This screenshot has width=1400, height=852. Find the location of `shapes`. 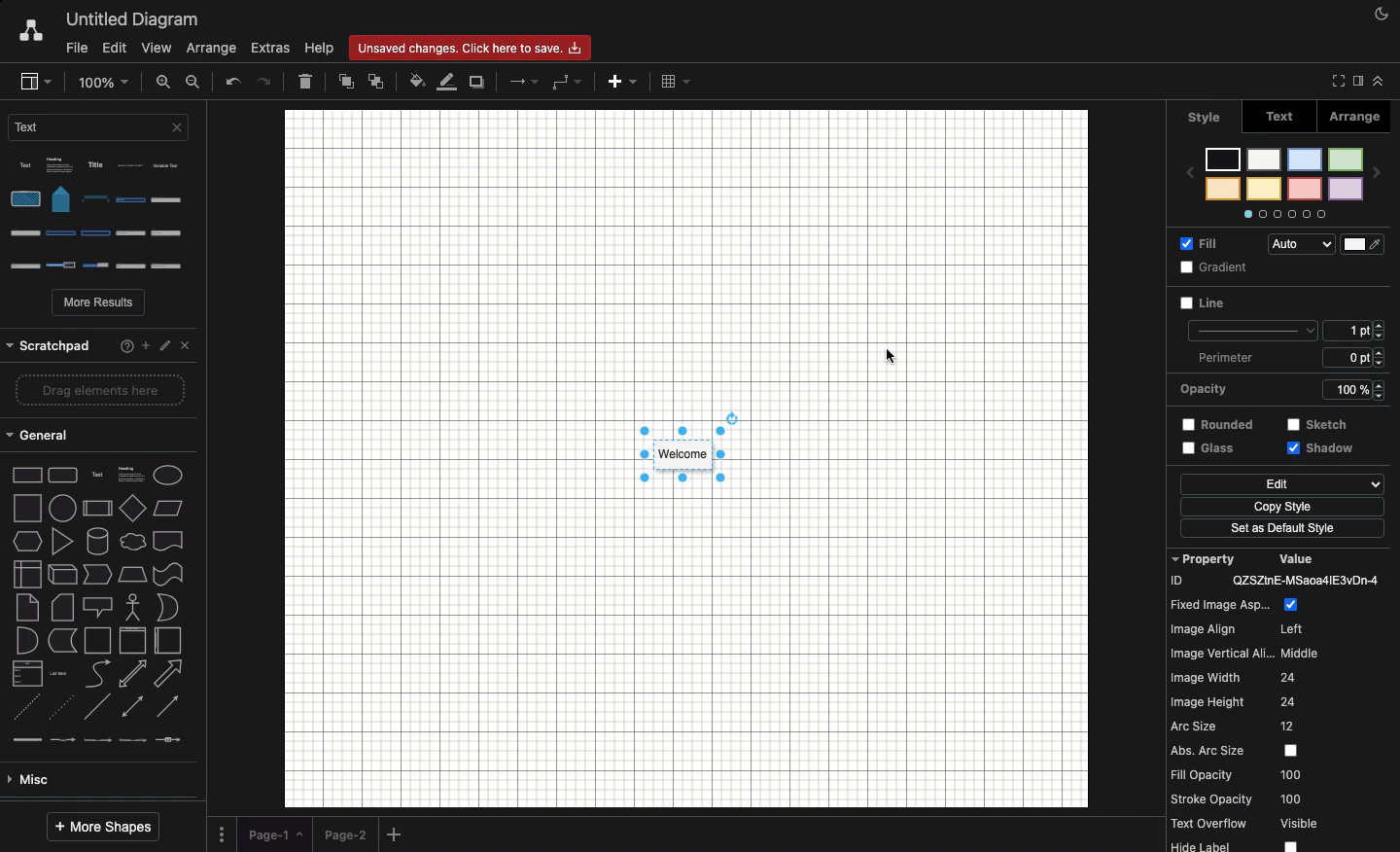

shapes is located at coordinates (104, 470).